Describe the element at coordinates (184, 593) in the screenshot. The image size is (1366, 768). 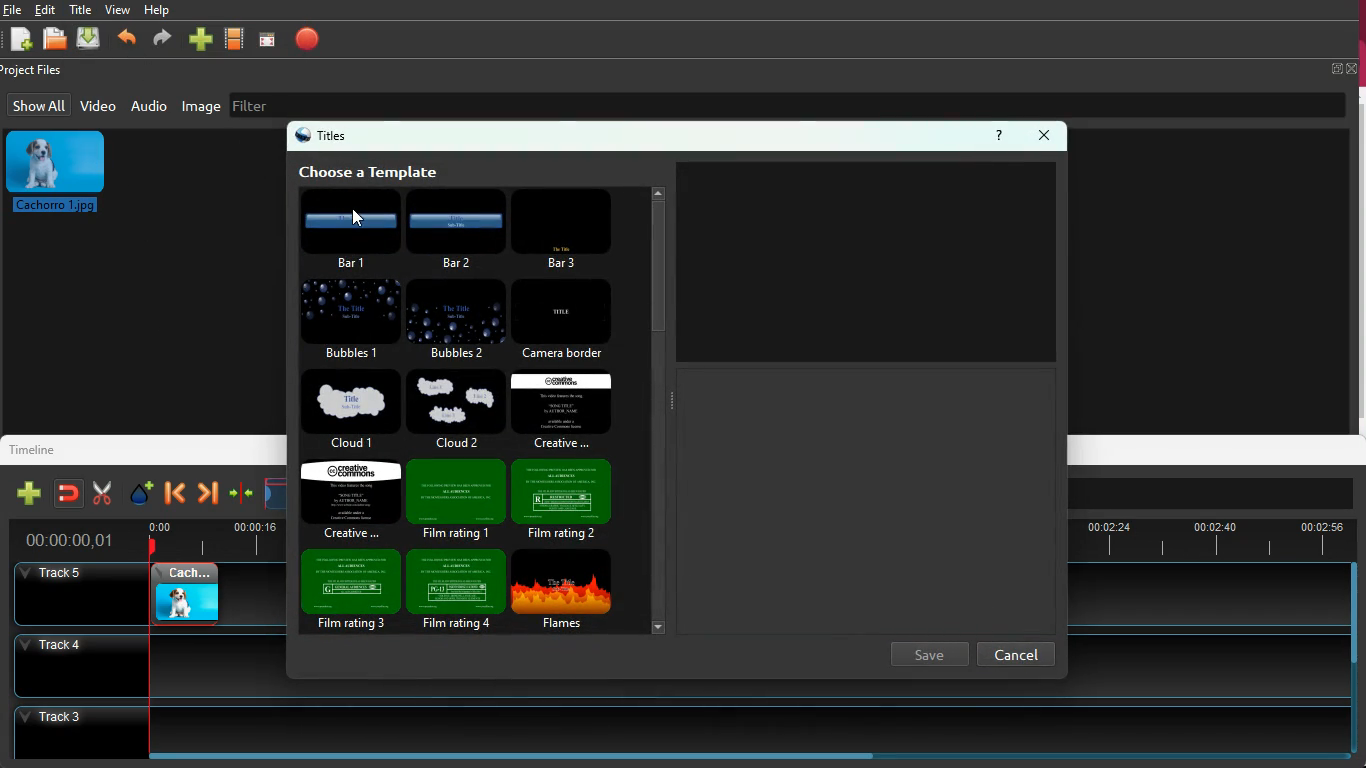
I see `image` at that location.